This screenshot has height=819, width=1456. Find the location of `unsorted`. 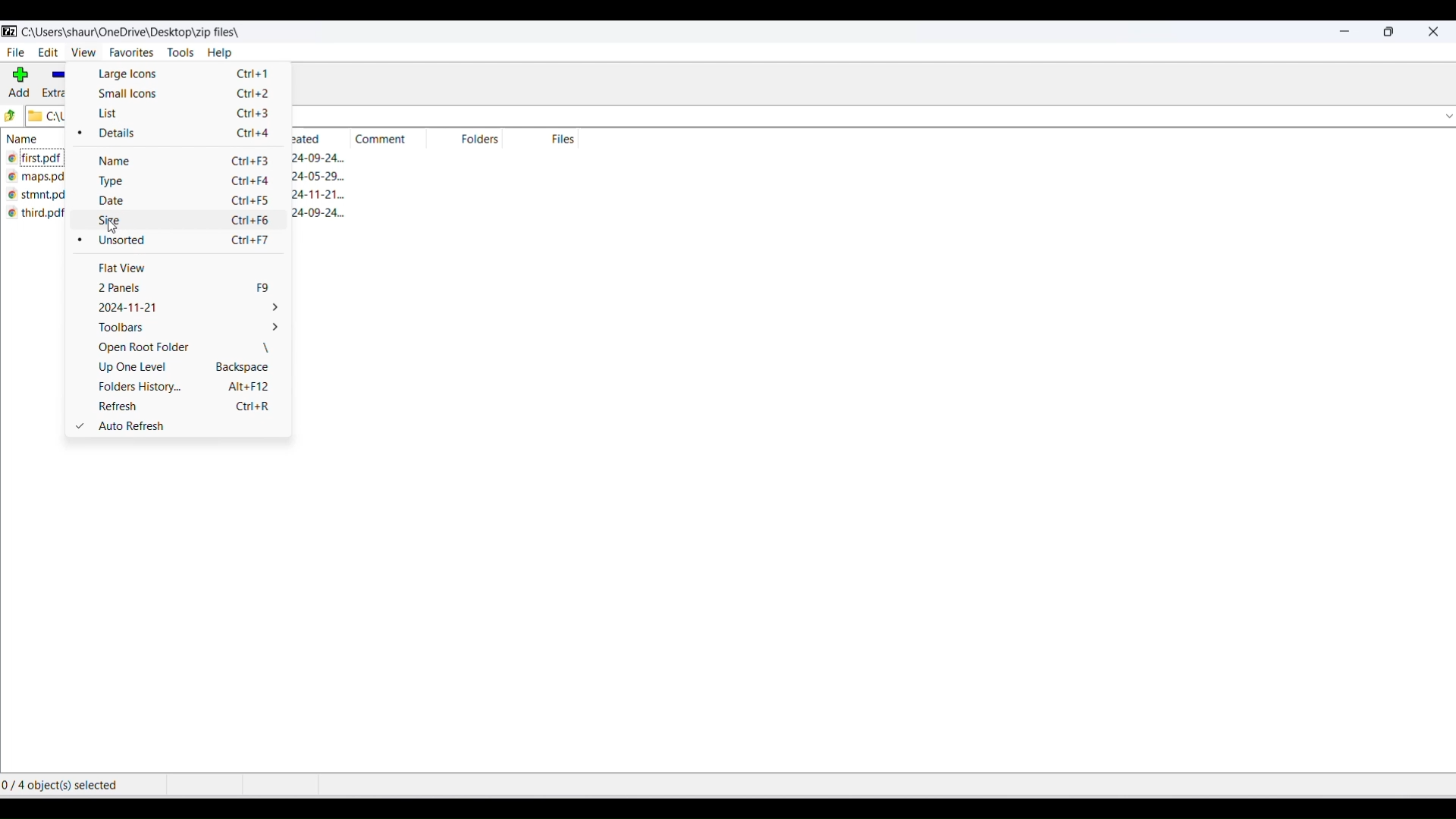

unsorted is located at coordinates (183, 242).